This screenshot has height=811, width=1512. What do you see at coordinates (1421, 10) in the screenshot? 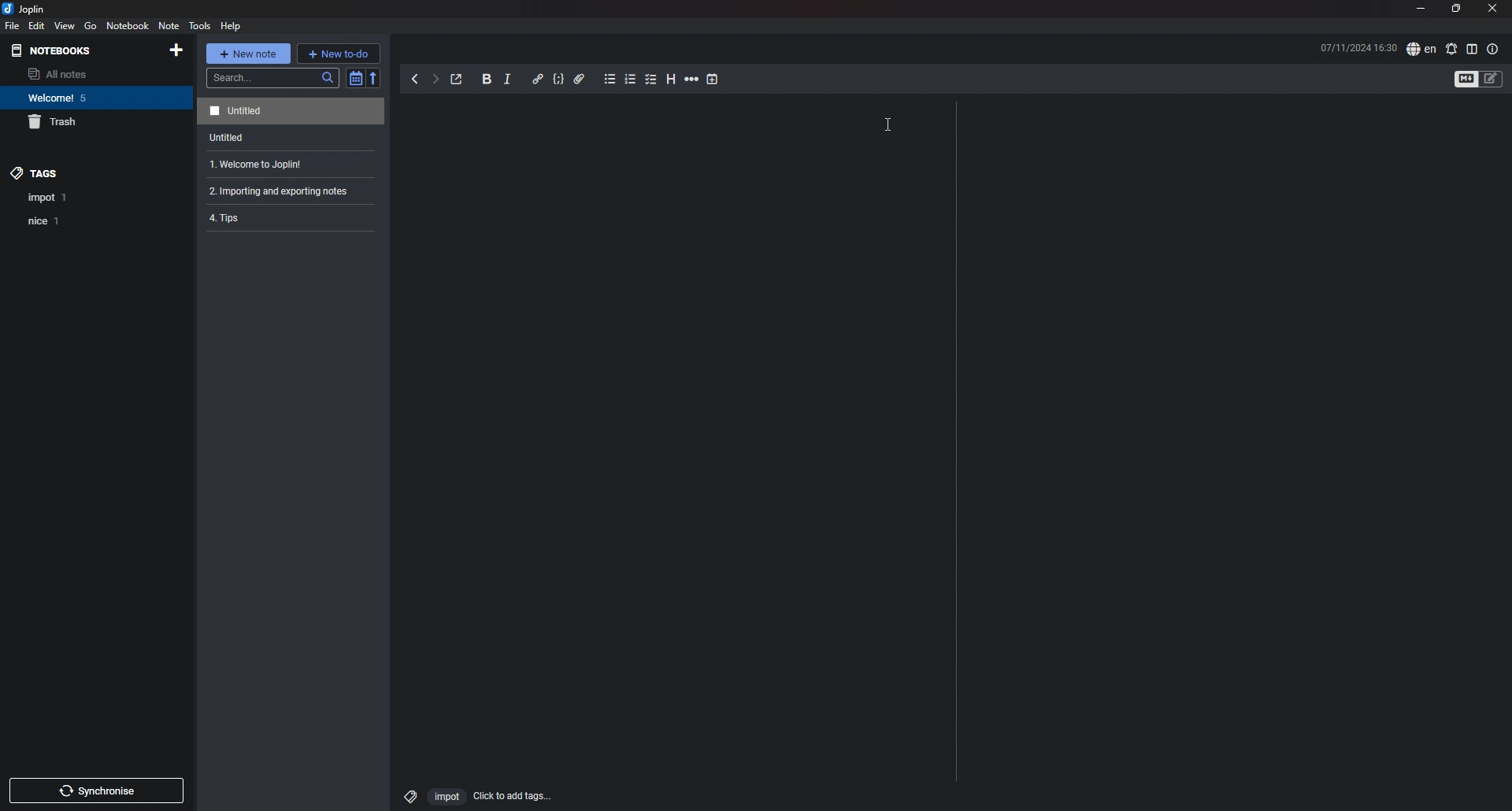
I see `minimize` at bounding box center [1421, 10].